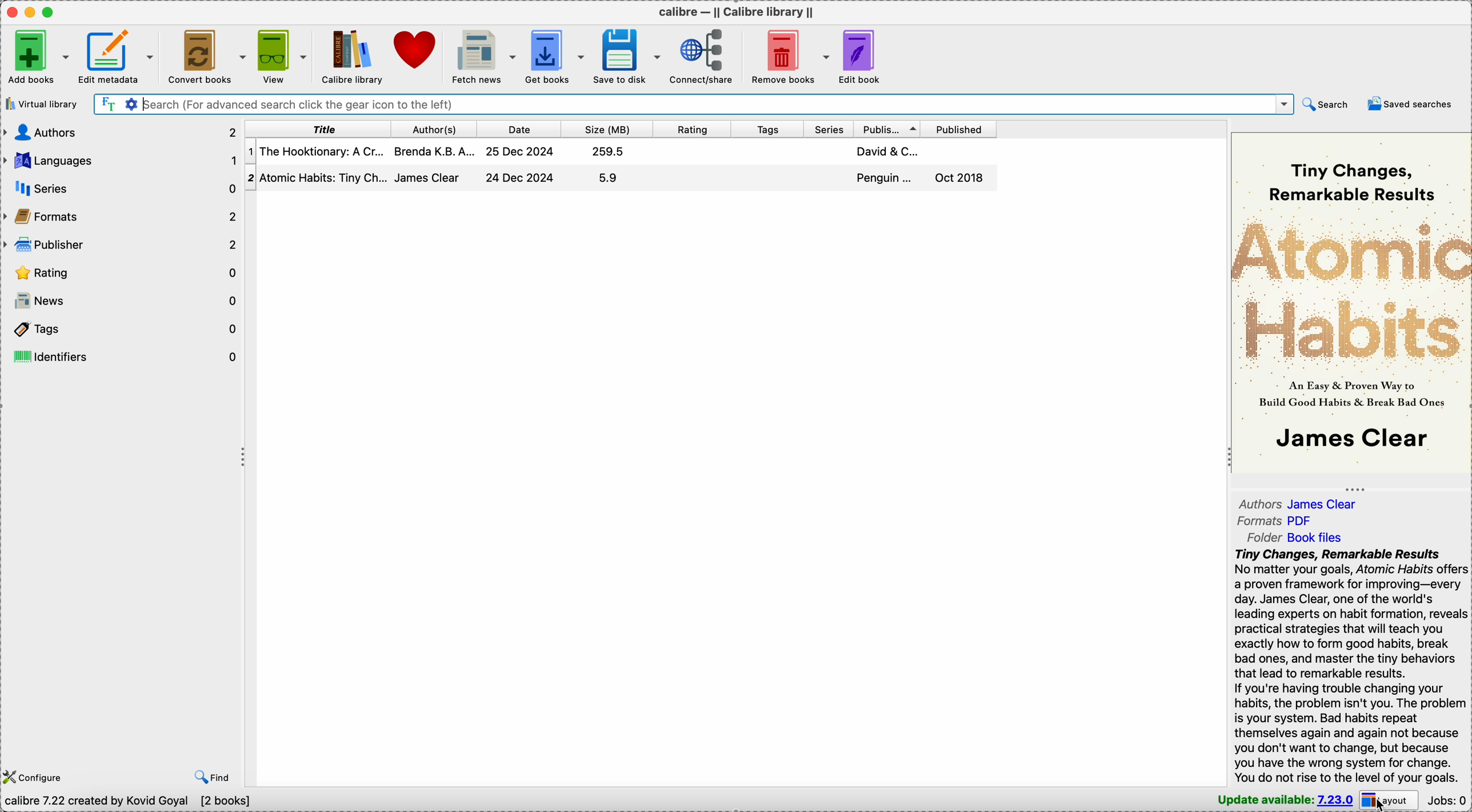 This screenshot has height=812, width=1472. I want to click on Oct 2018, so click(959, 178).